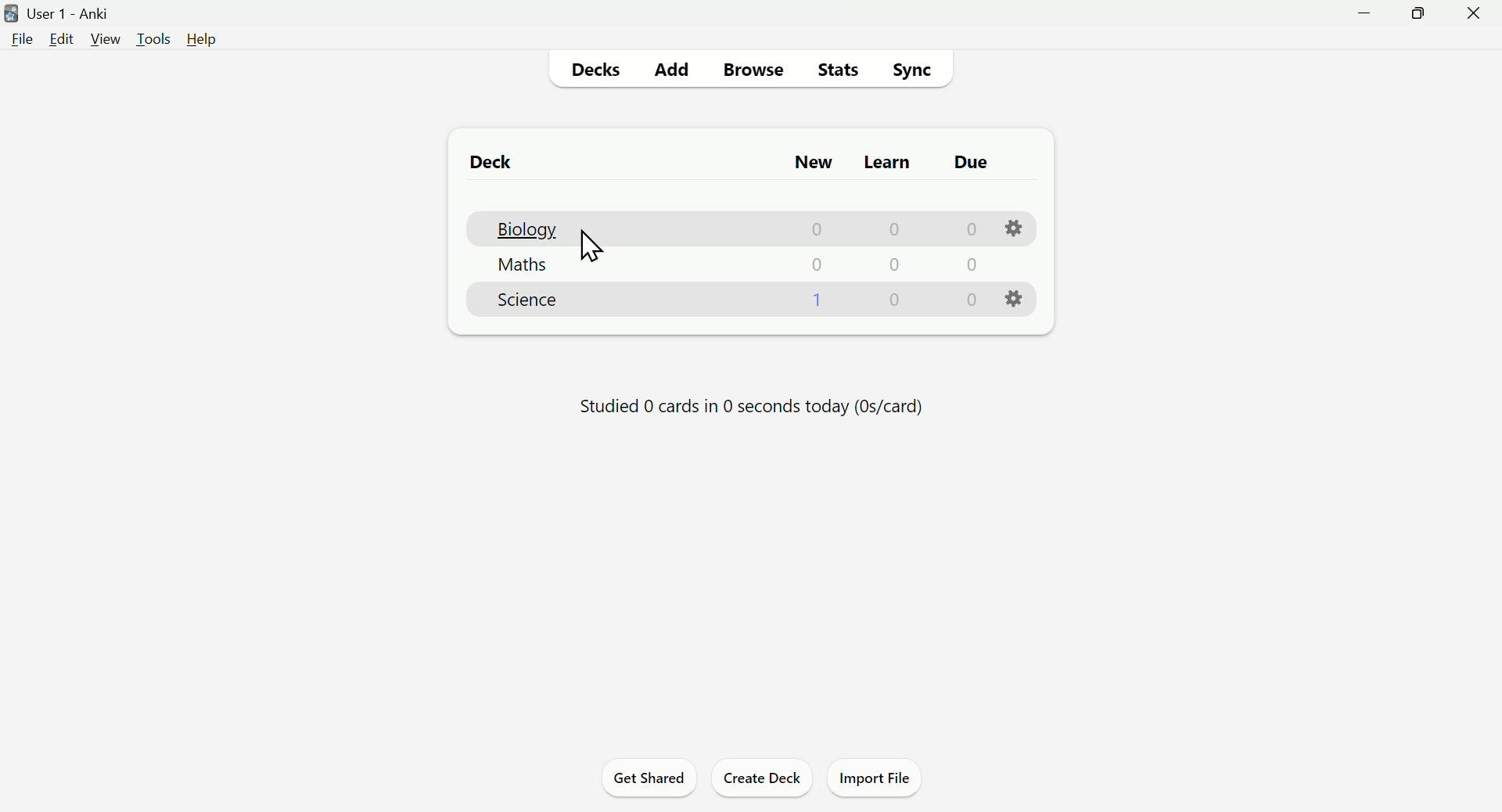 The height and width of the screenshot is (812, 1502). What do you see at coordinates (61, 12) in the screenshot?
I see `User 1 - Anki` at bounding box center [61, 12].